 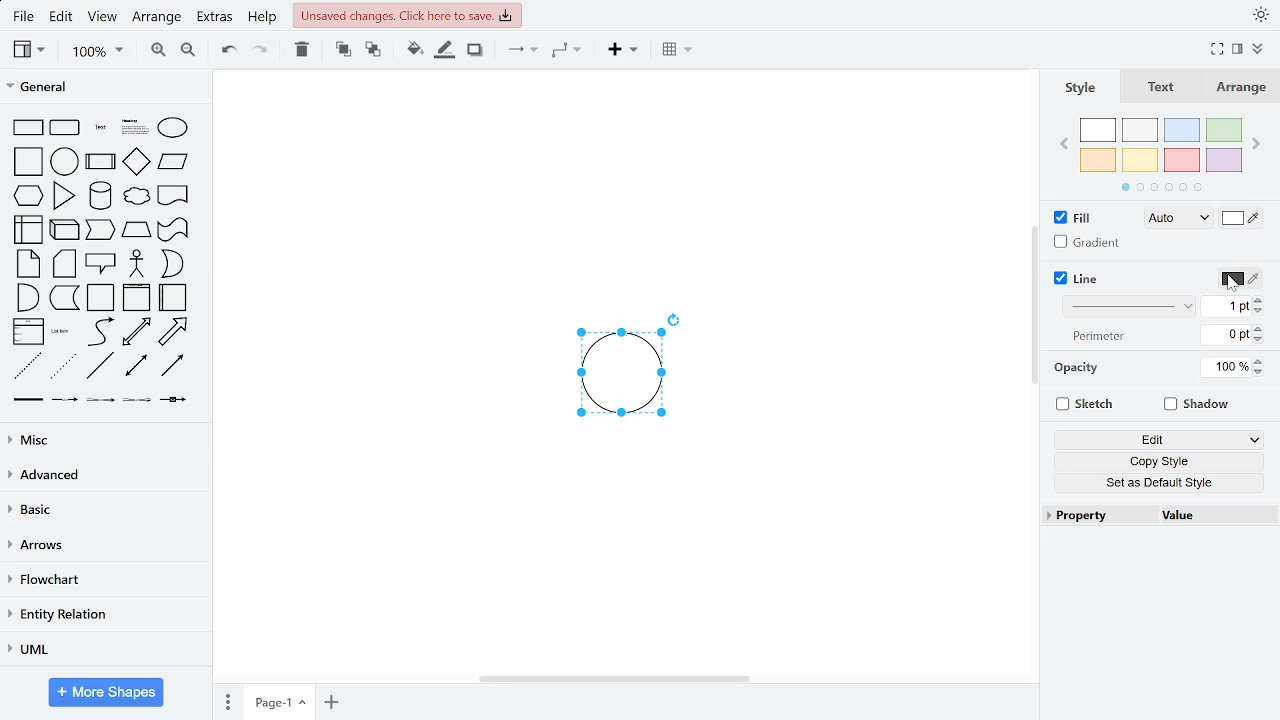 I want to click on to back, so click(x=374, y=50).